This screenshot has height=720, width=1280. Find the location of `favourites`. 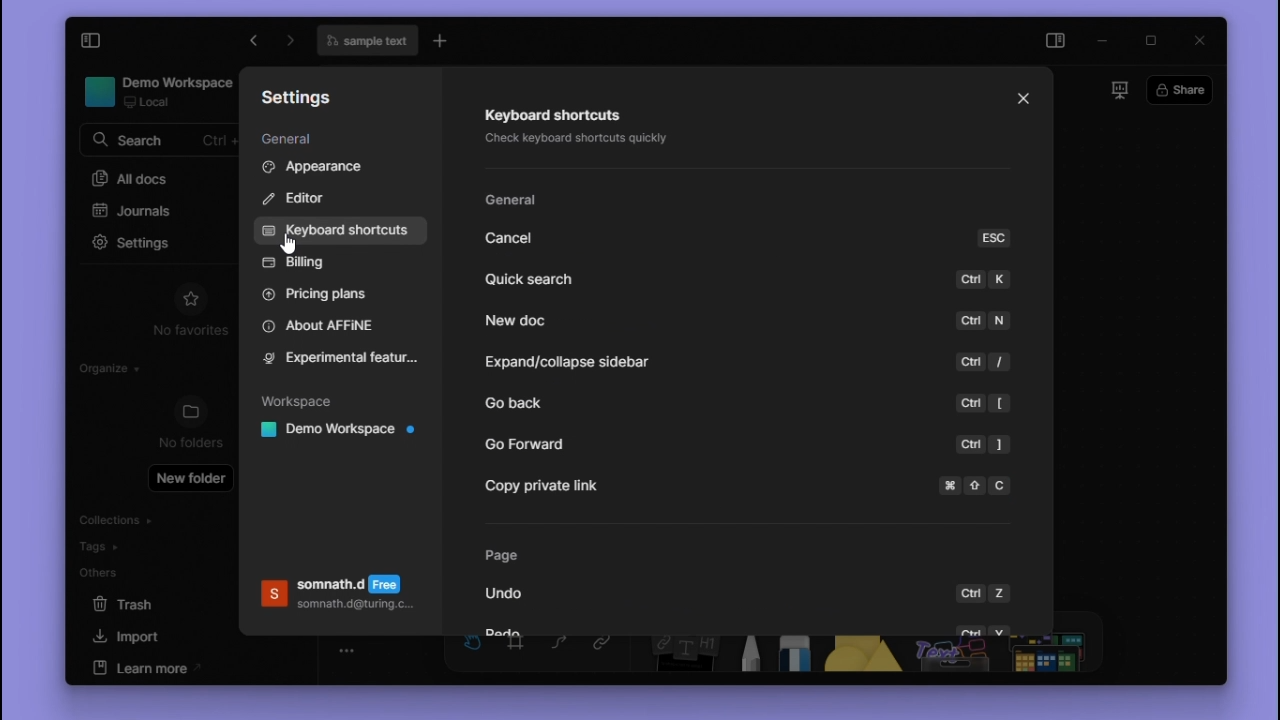

favourites is located at coordinates (190, 297).